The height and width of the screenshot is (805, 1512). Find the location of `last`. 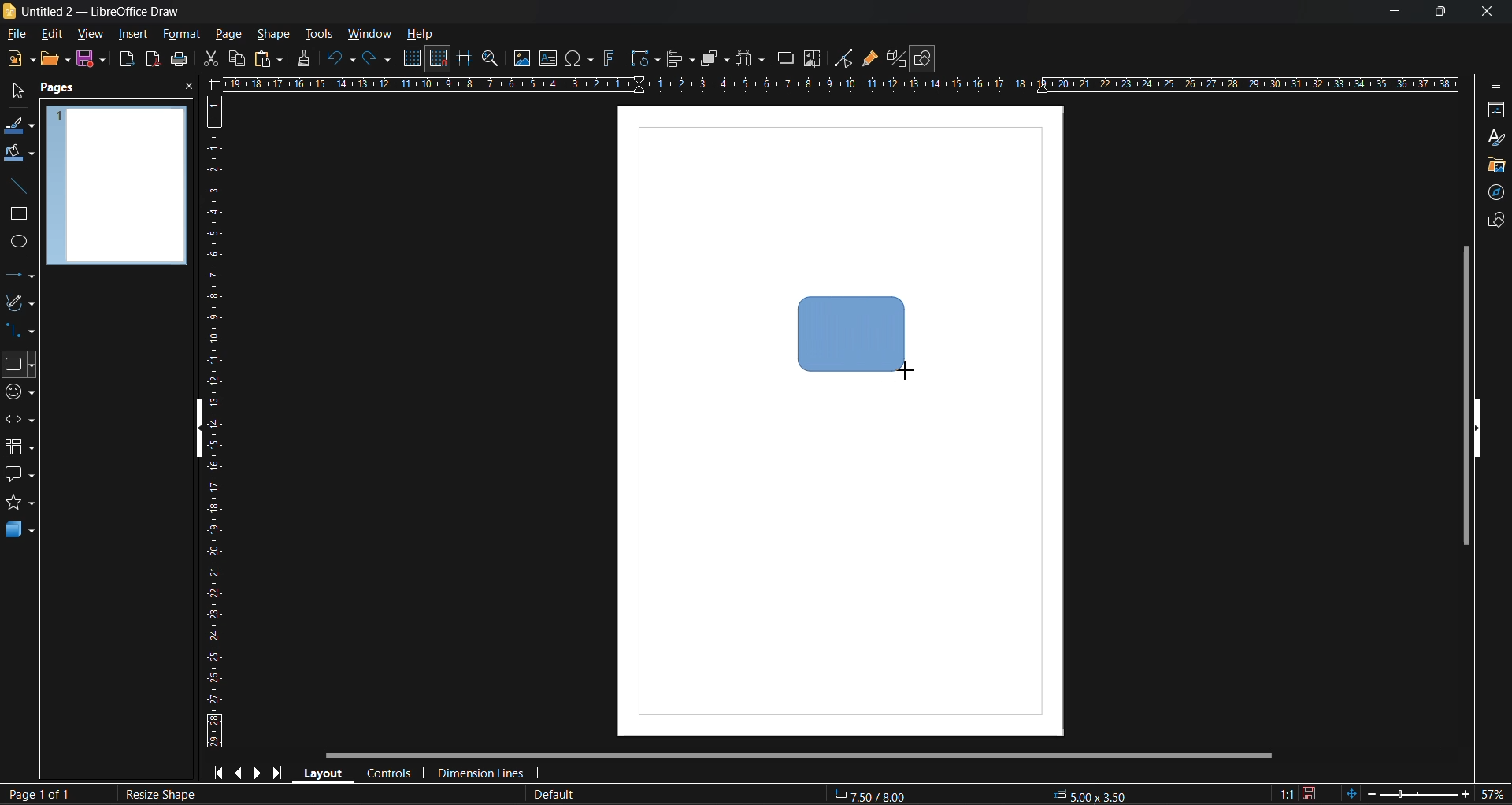

last is located at coordinates (279, 770).